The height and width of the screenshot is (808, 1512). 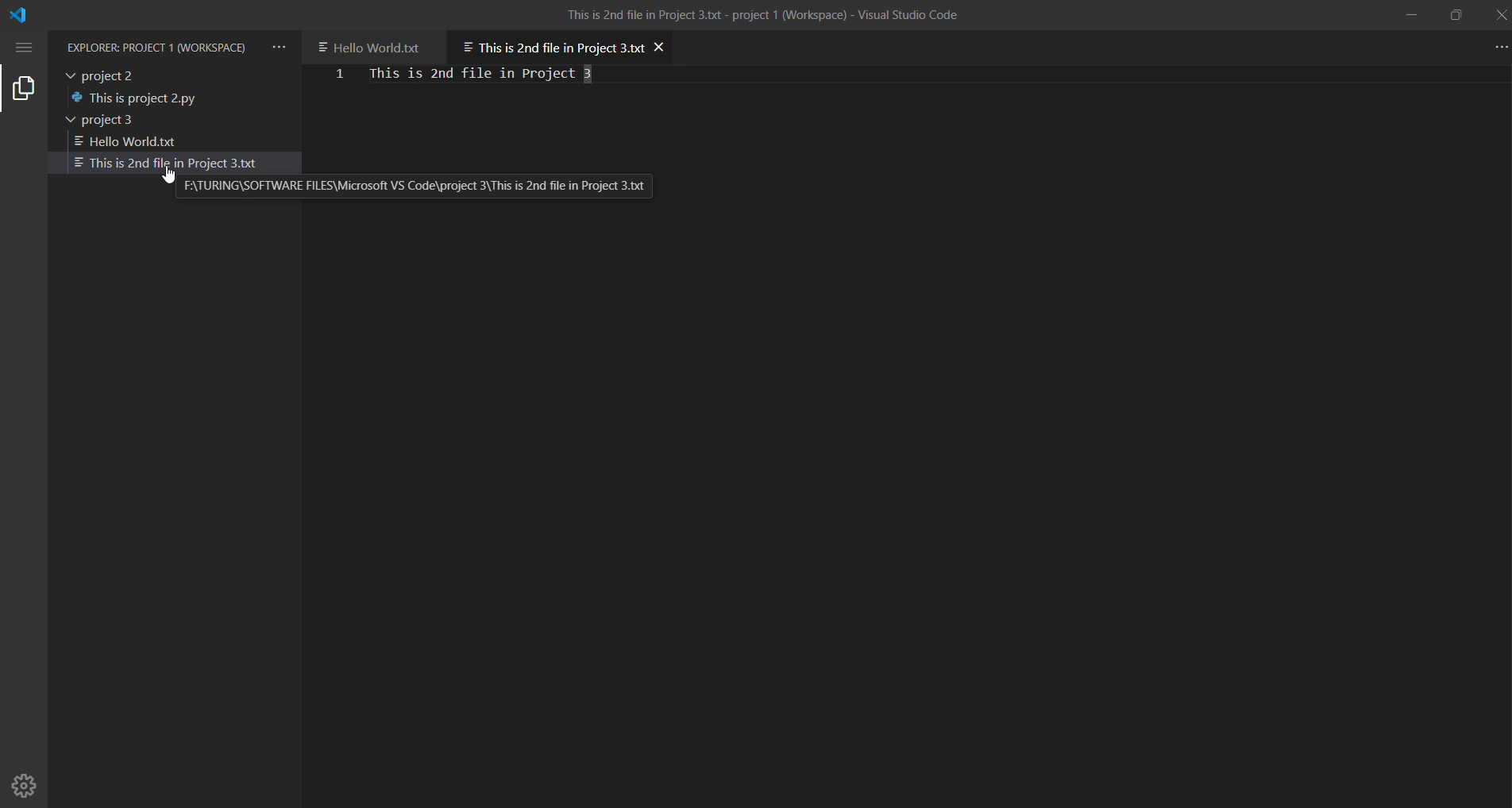 I want to click on another file in project, so click(x=376, y=45).